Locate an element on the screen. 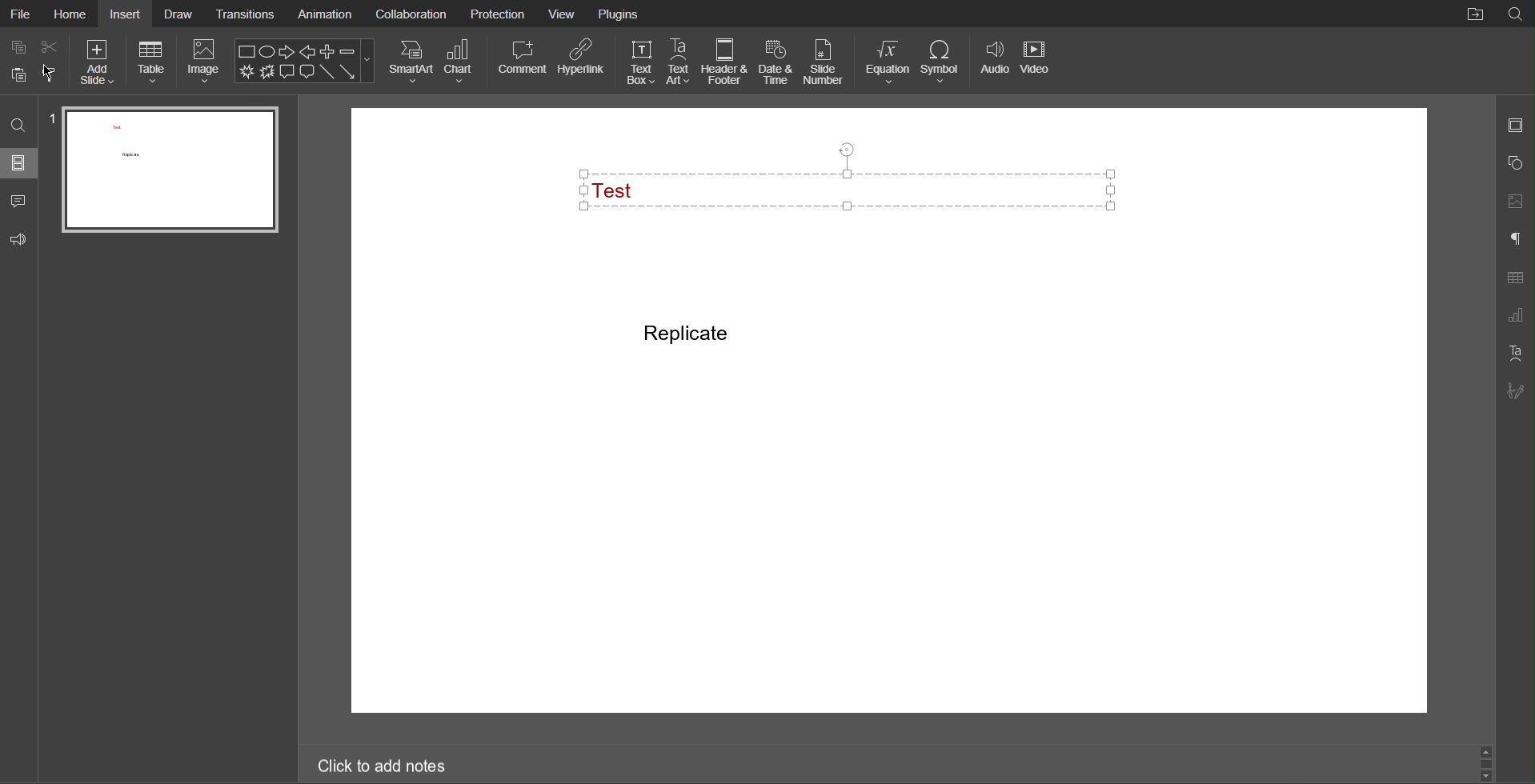  Cut Copy Paste Options is located at coordinates (35, 61).